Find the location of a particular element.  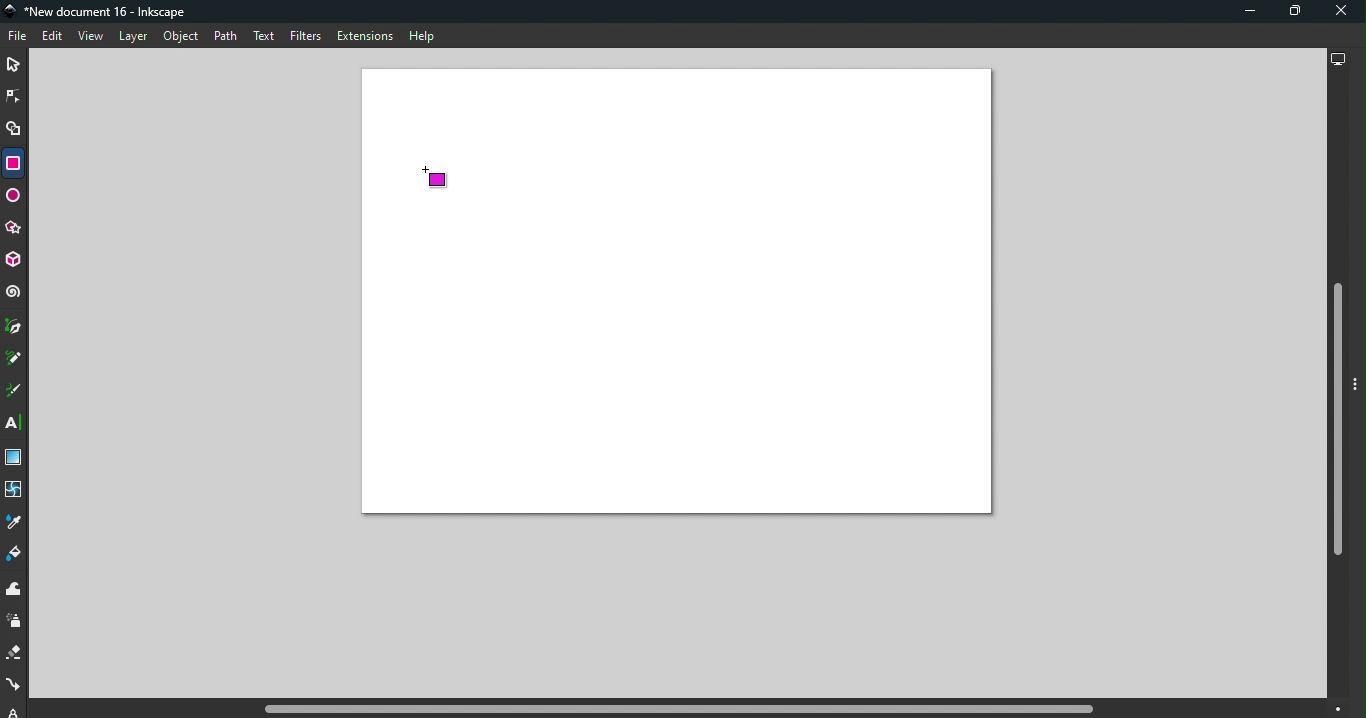

Pen tool is located at coordinates (15, 327).